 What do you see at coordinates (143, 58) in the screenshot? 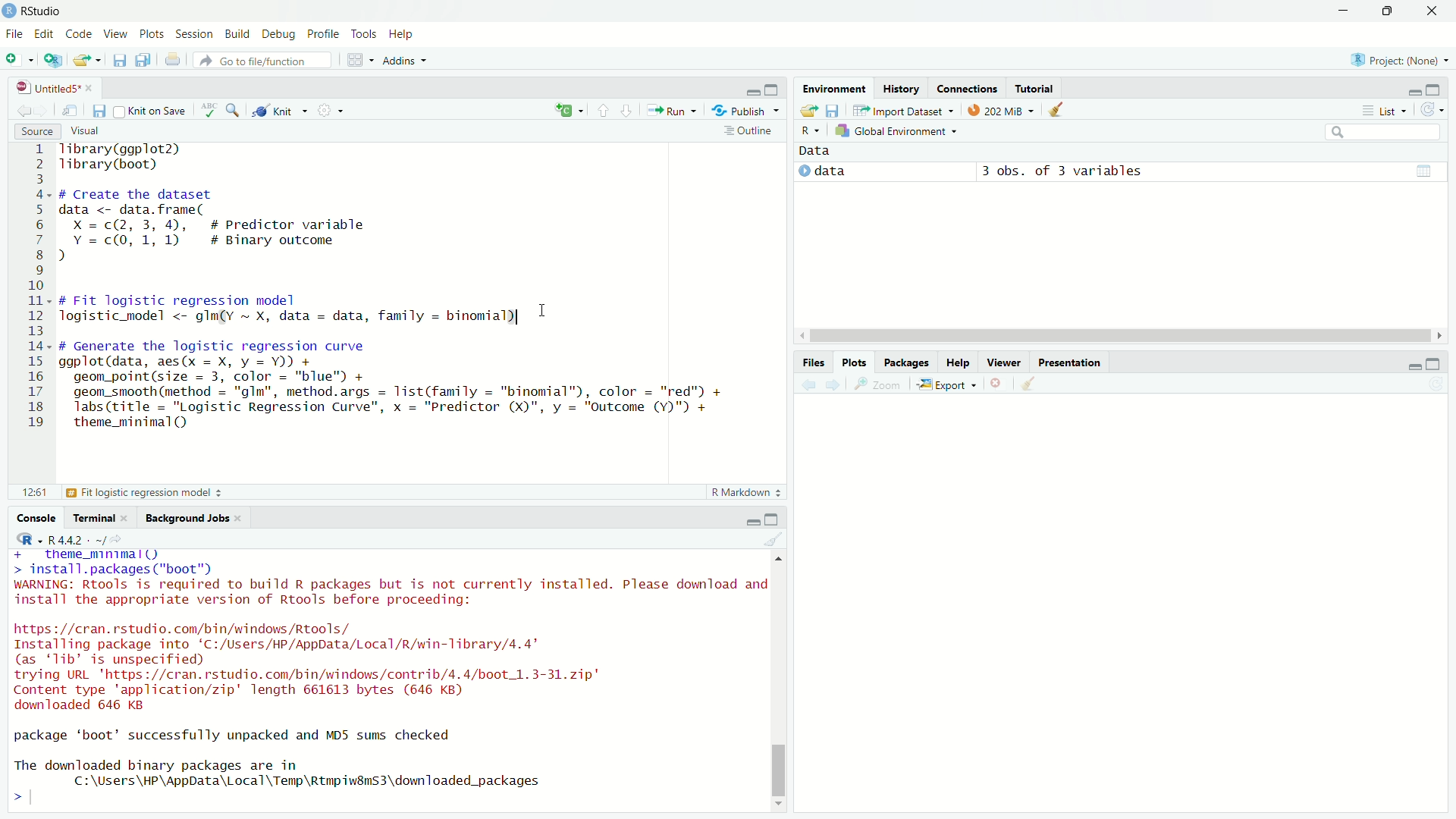
I see `Save all open documents` at bounding box center [143, 58].